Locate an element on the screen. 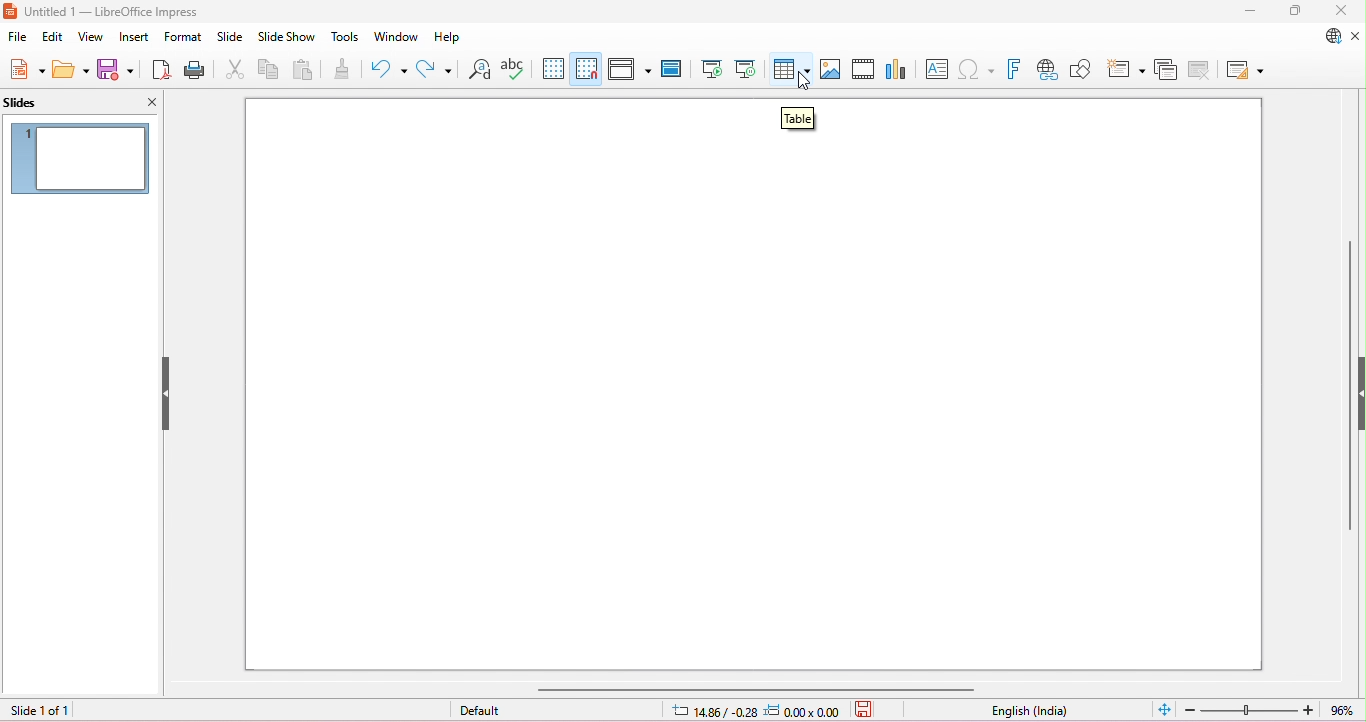 The width and height of the screenshot is (1366, 722). export as pdf is located at coordinates (162, 70).